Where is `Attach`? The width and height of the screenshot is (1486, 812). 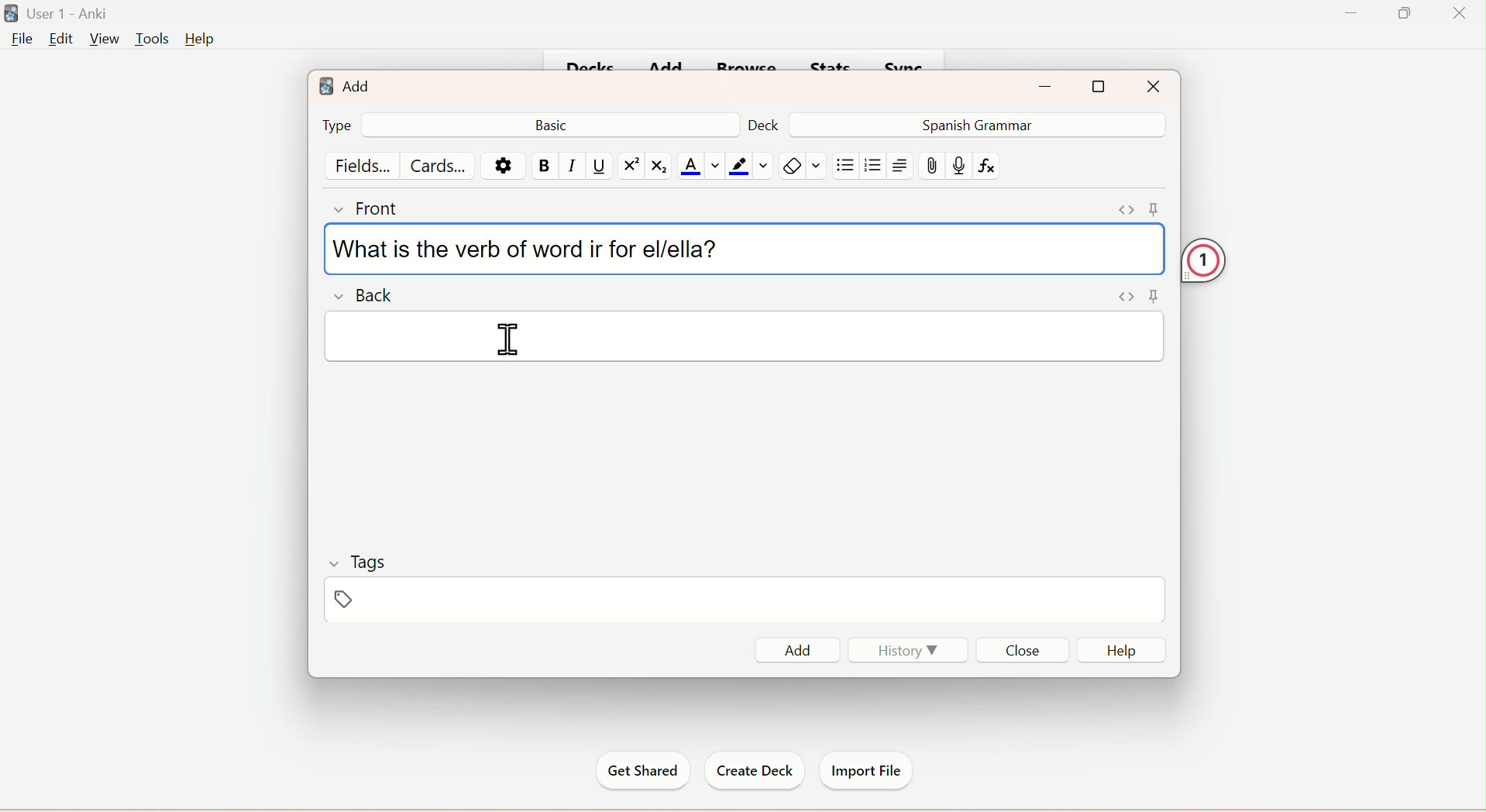
Attach is located at coordinates (934, 167).